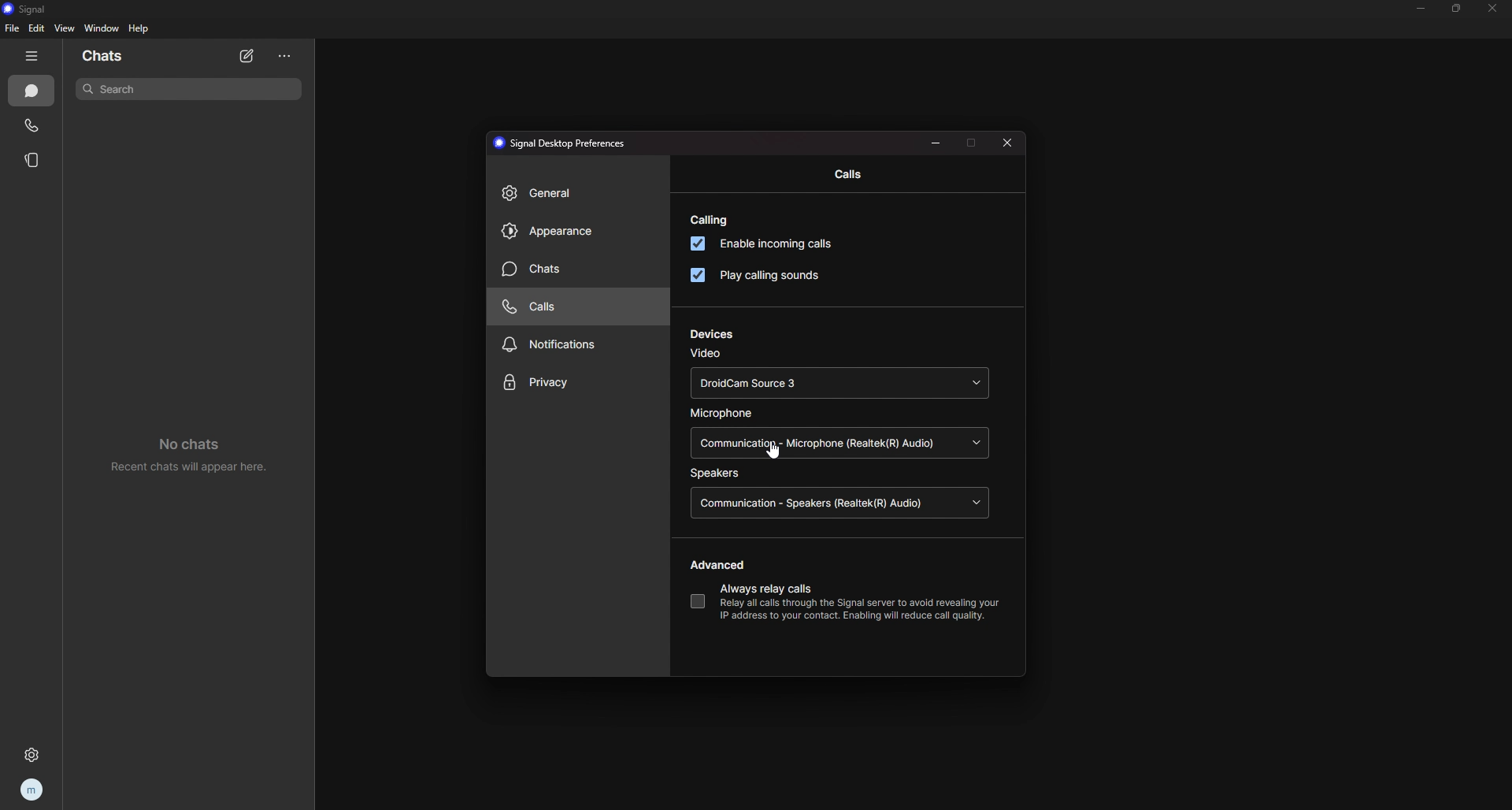 This screenshot has height=810, width=1512. What do you see at coordinates (570, 269) in the screenshot?
I see `chats` at bounding box center [570, 269].